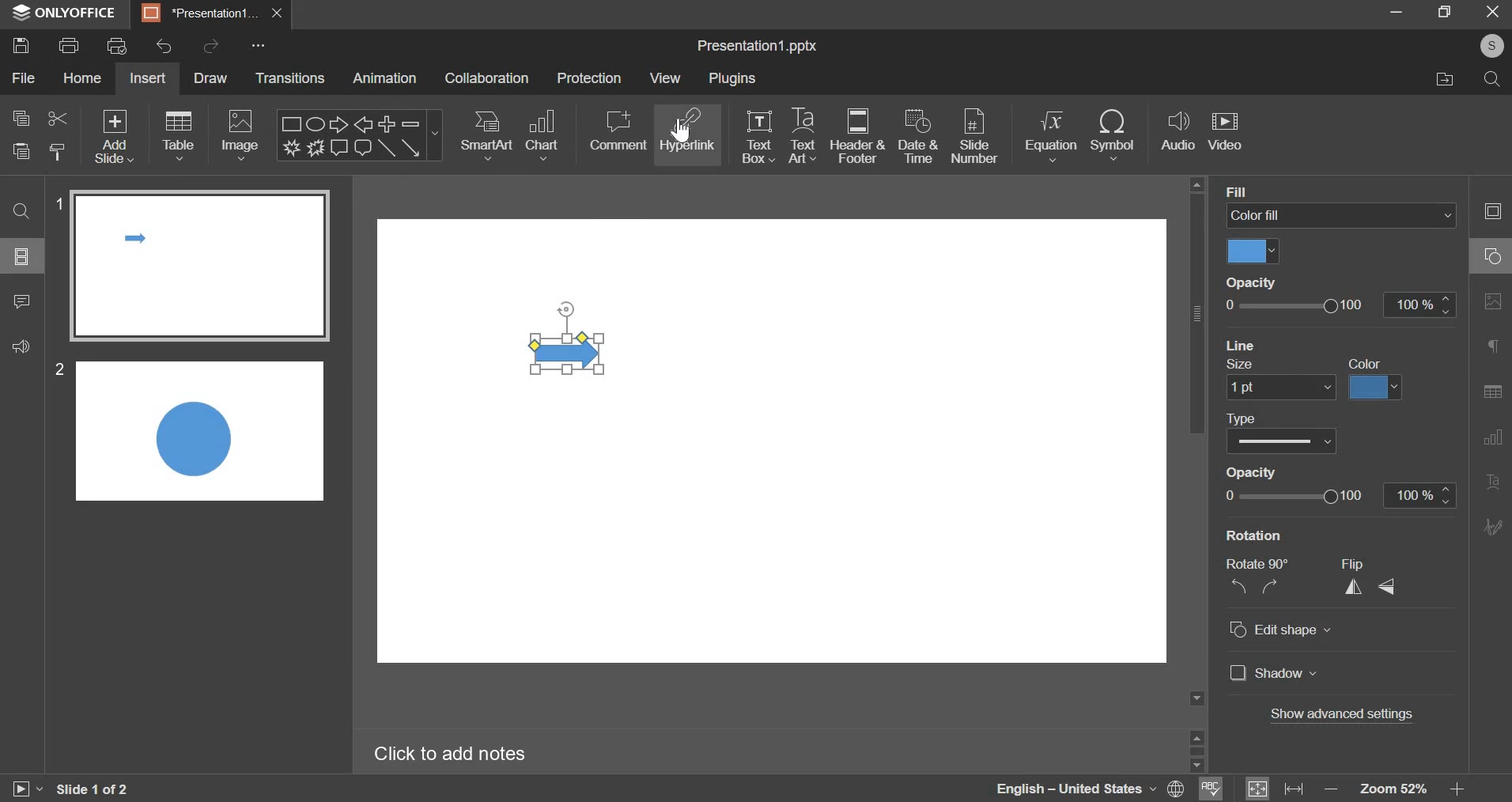  Describe the element at coordinates (287, 77) in the screenshot. I see `transitions` at that location.